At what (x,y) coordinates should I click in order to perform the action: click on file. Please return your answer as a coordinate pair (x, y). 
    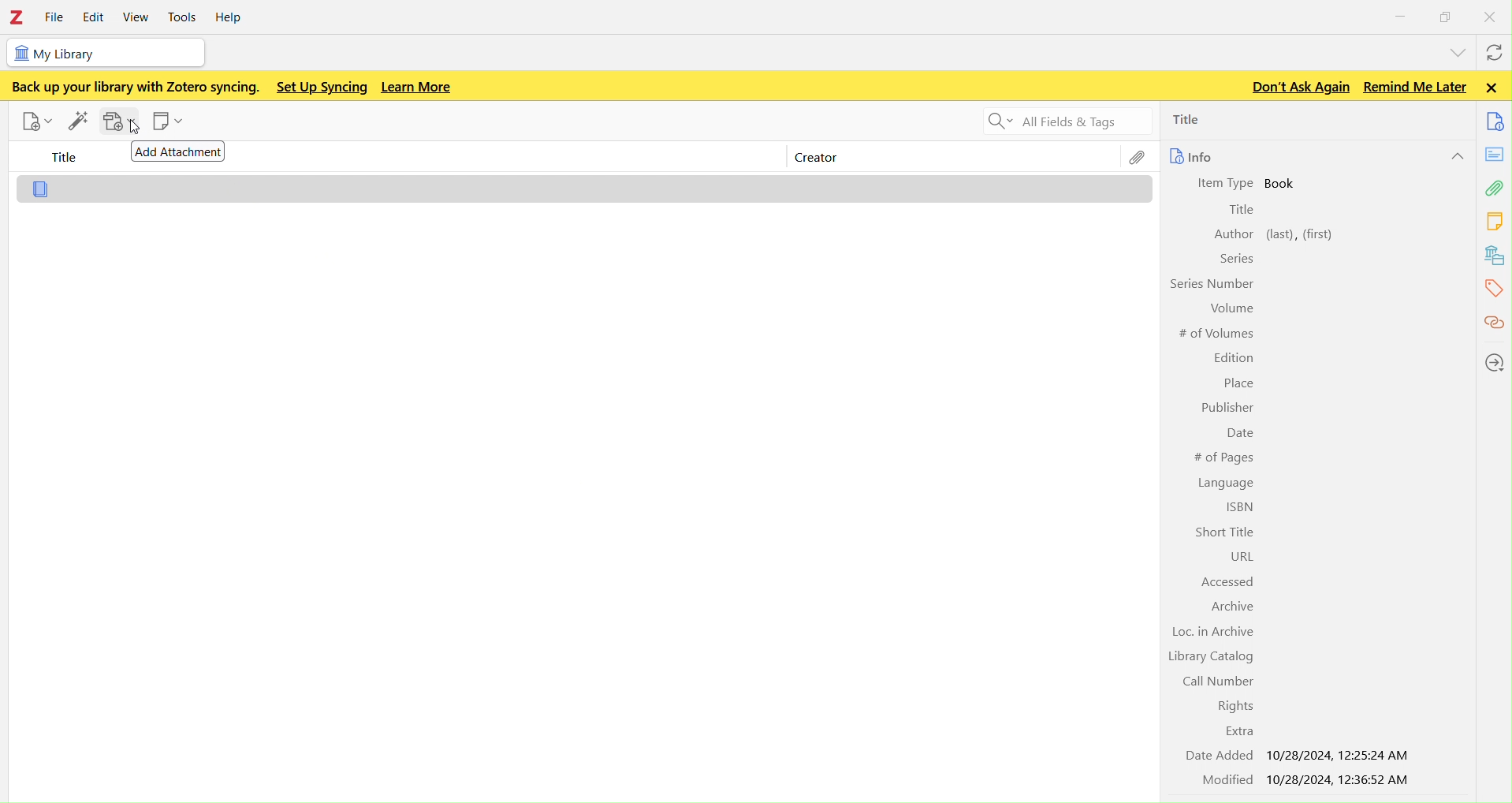
    Looking at the image, I should click on (42, 189).